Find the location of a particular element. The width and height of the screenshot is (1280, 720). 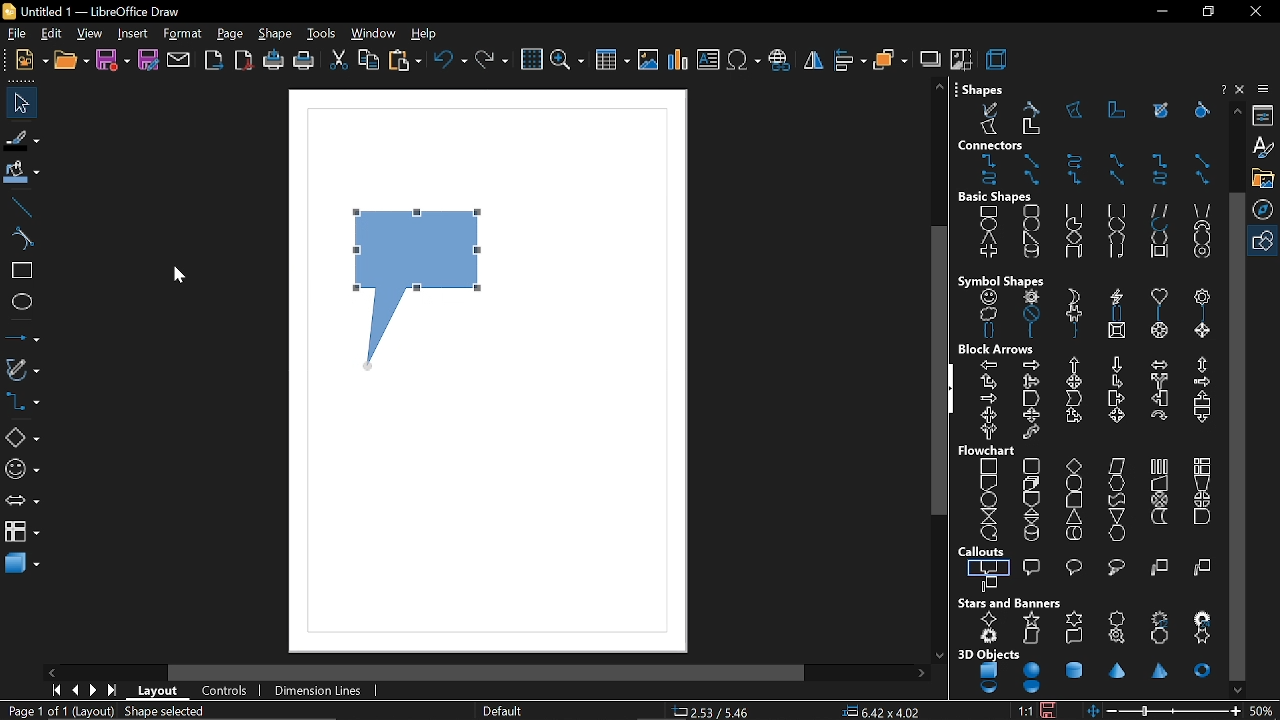

4 way arrow is located at coordinates (1074, 382).